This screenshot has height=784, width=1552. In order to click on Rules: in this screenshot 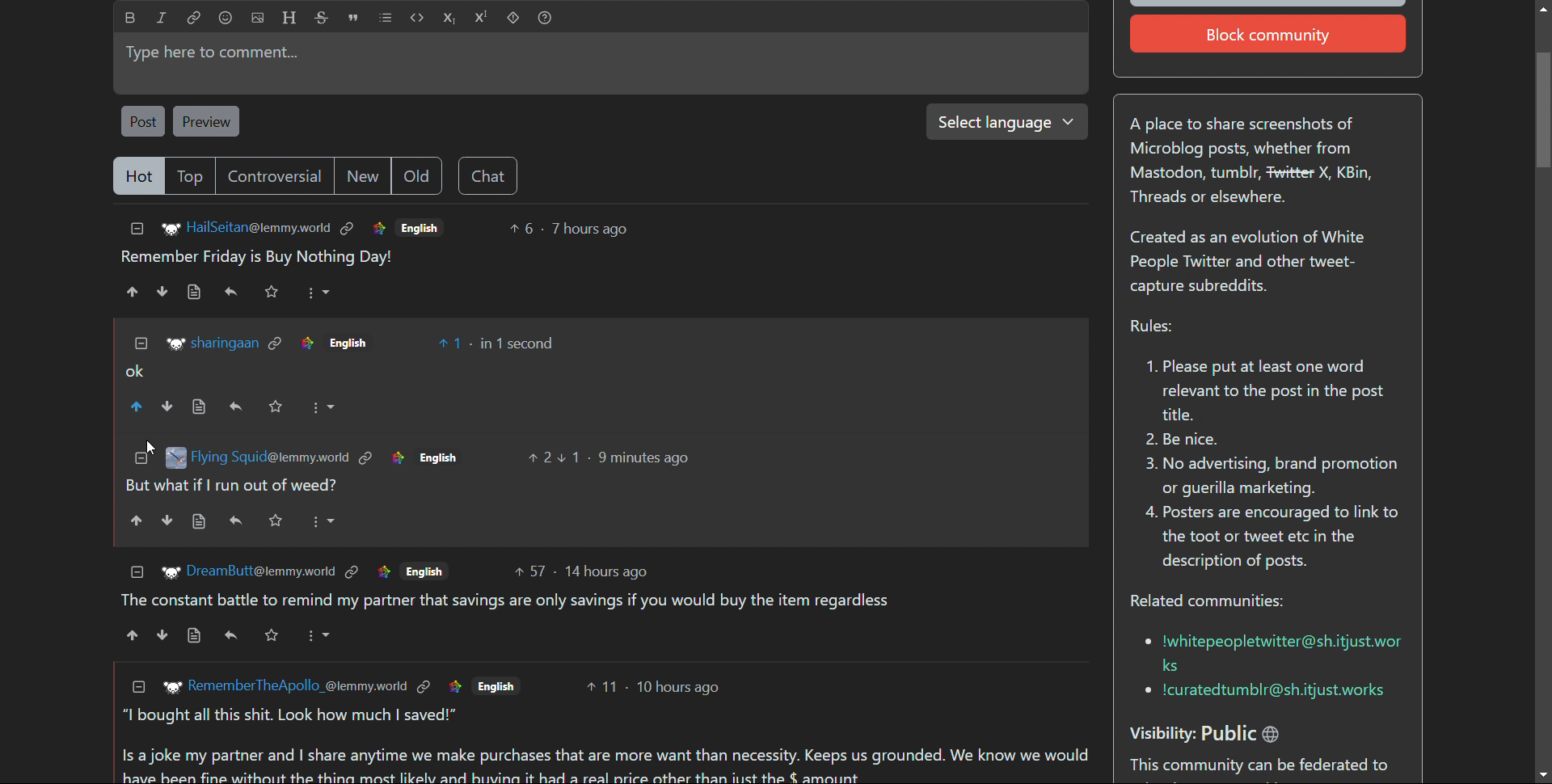, I will do `click(1149, 327)`.